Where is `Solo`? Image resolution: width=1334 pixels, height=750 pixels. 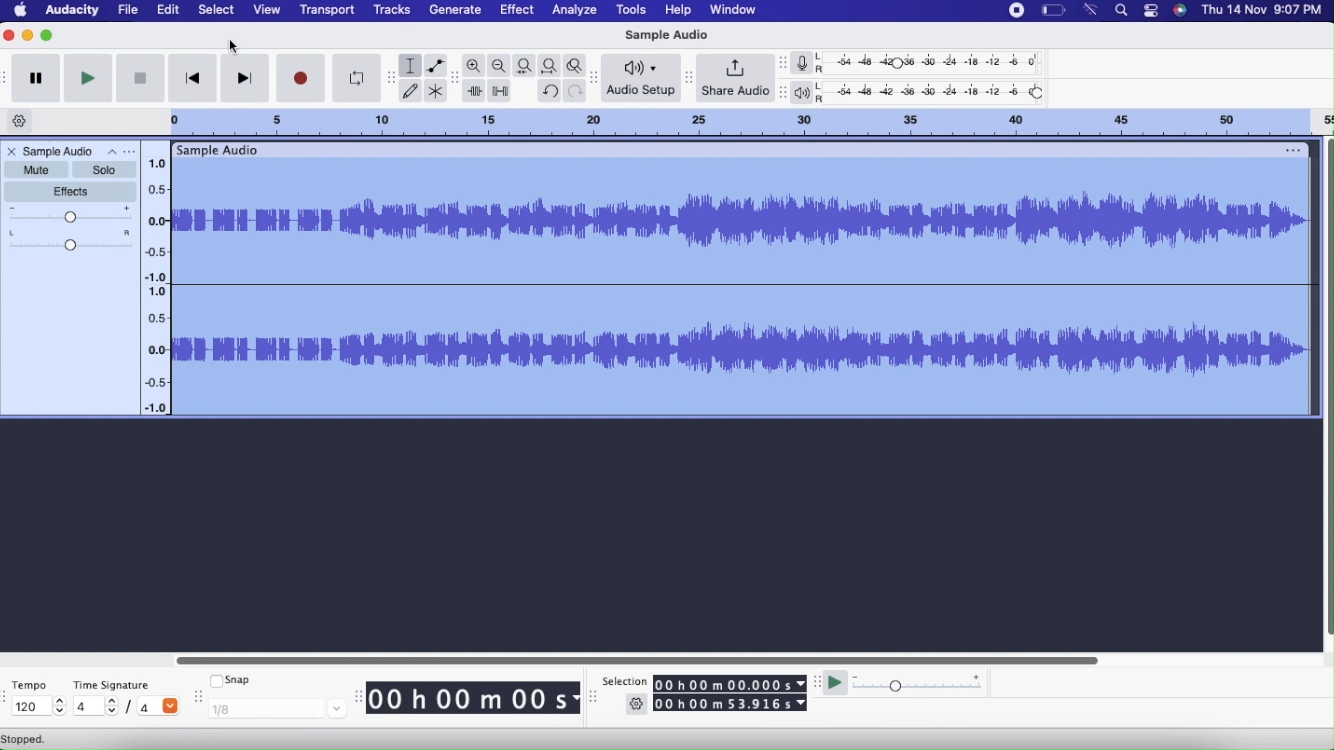 Solo is located at coordinates (104, 171).